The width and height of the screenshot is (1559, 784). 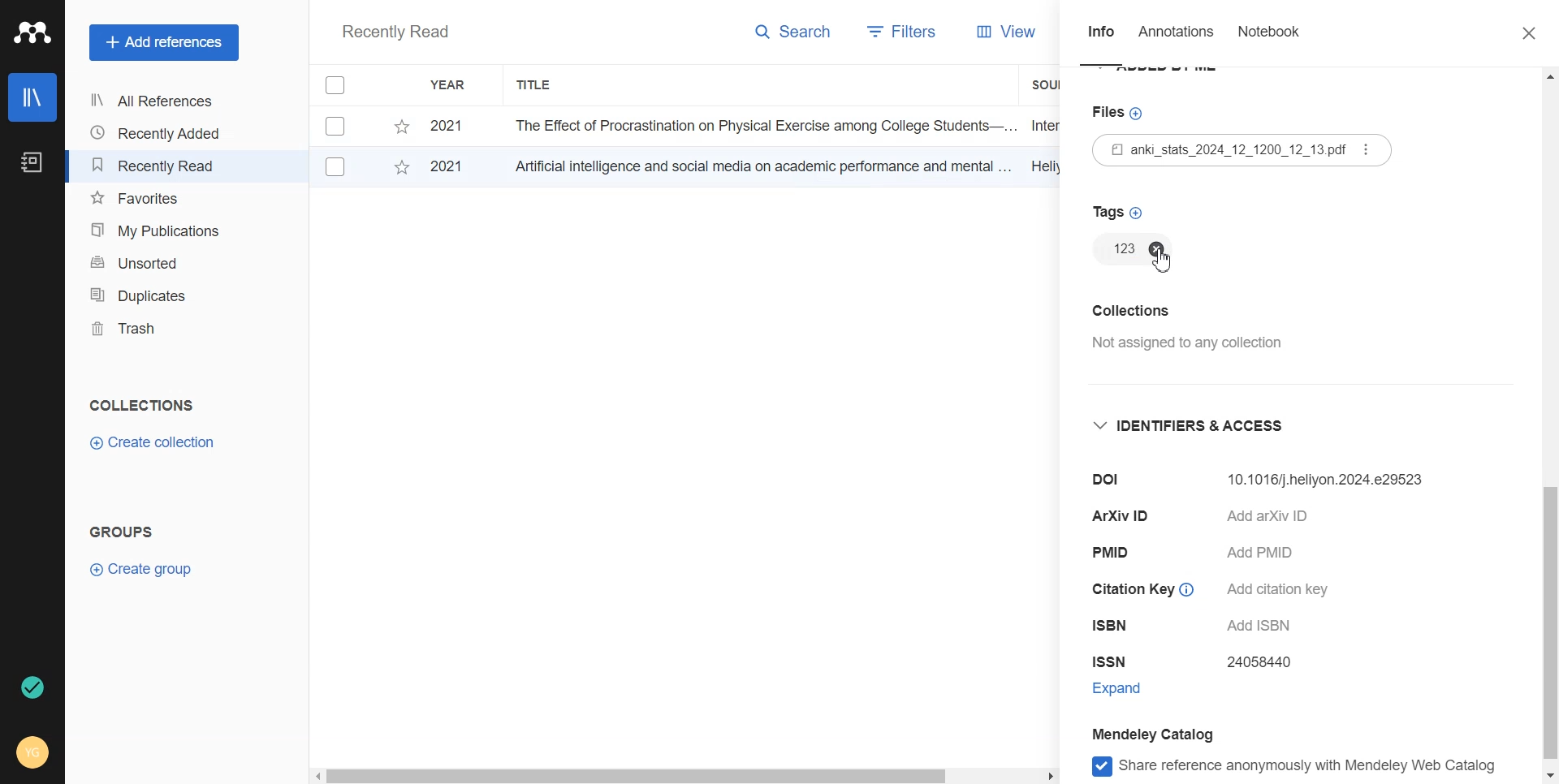 What do you see at coordinates (395, 33) in the screenshot?
I see `Recently Read` at bounding box center [395, 33].